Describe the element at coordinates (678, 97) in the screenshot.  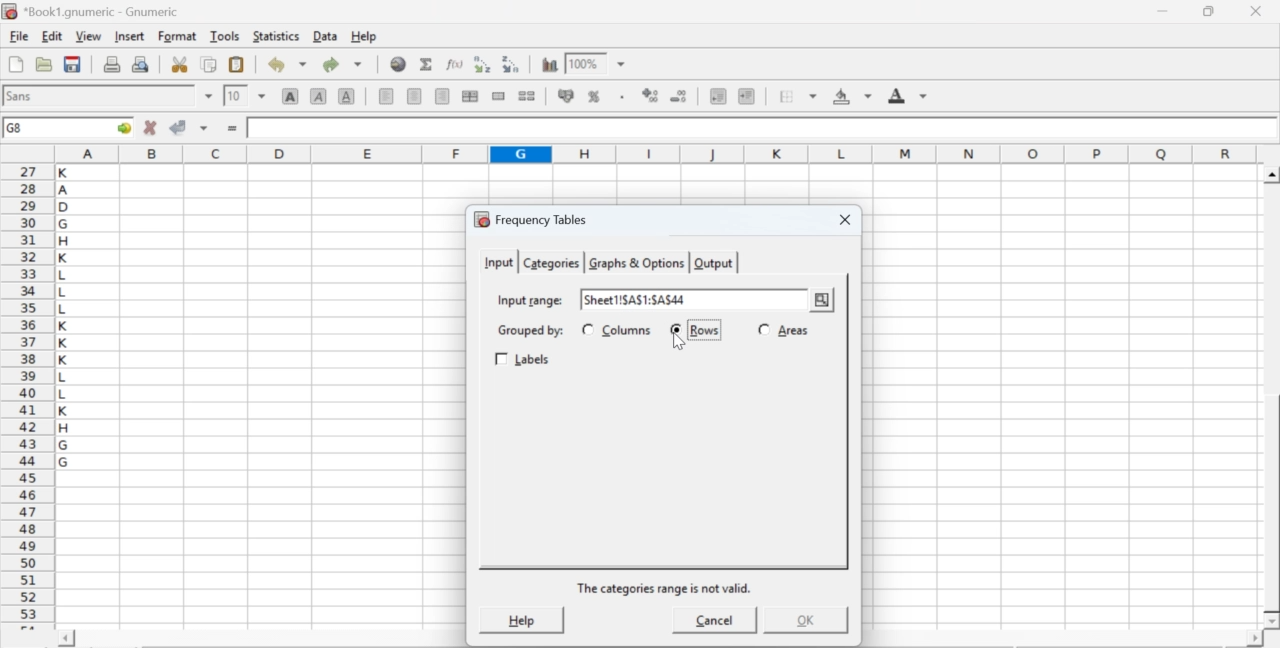
I see `decrease number of decimals displayed` at that location.